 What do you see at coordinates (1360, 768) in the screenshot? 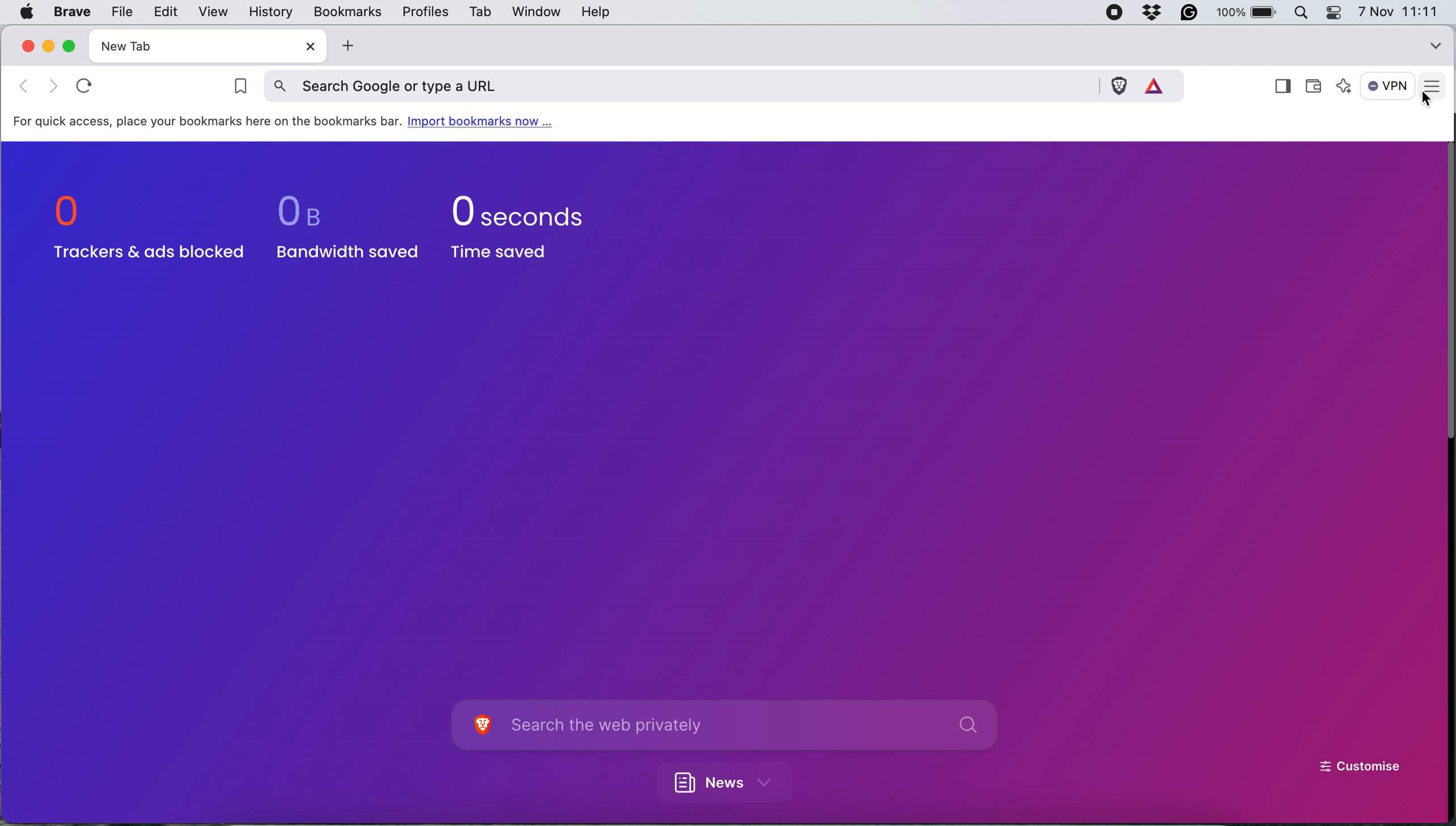
I see `customise` at bounding box center [1360, 768].